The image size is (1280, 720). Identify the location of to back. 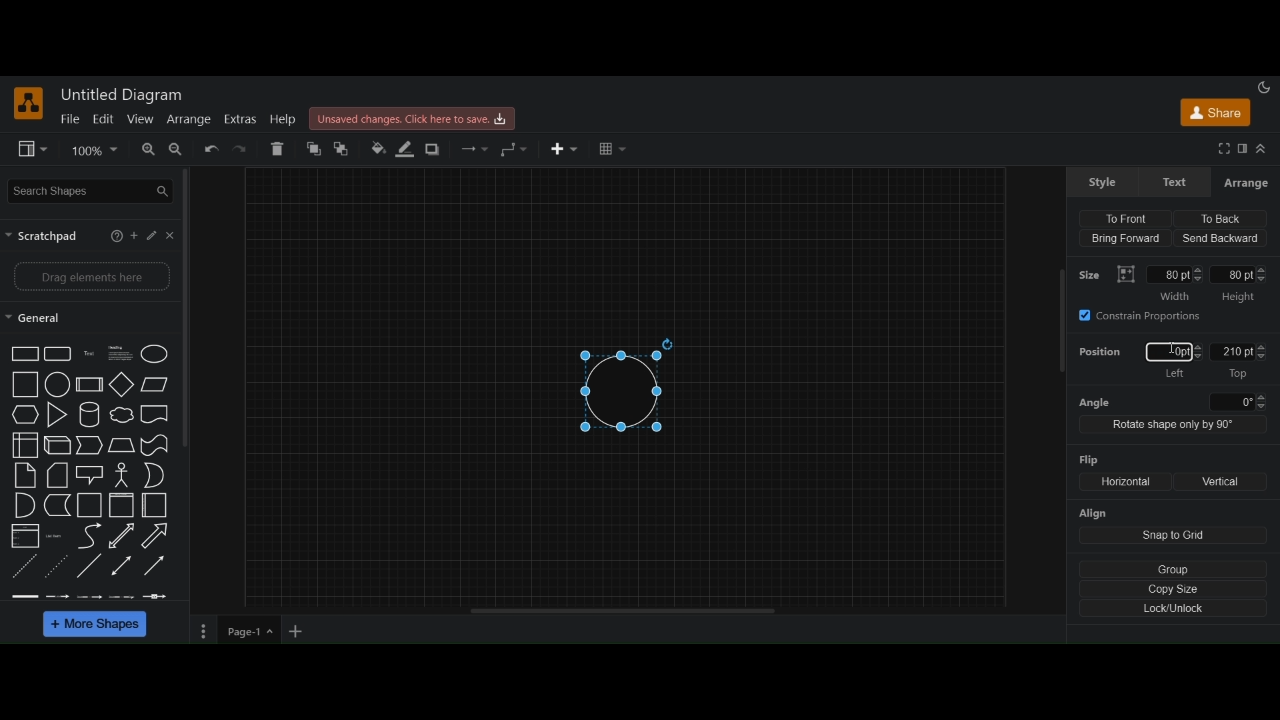
(1217, 218).